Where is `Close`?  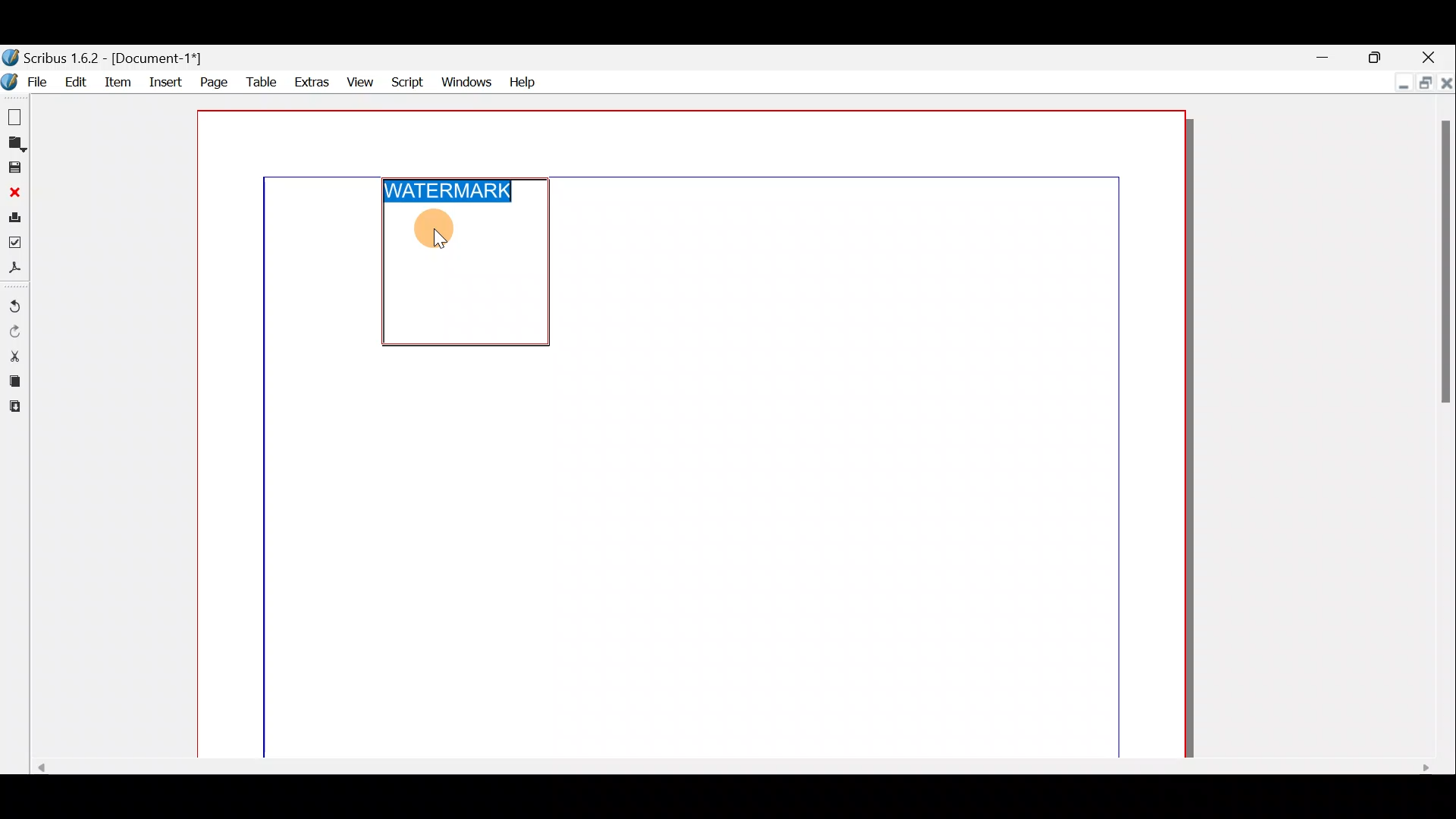
Close is located at coordinates (1432, 55).